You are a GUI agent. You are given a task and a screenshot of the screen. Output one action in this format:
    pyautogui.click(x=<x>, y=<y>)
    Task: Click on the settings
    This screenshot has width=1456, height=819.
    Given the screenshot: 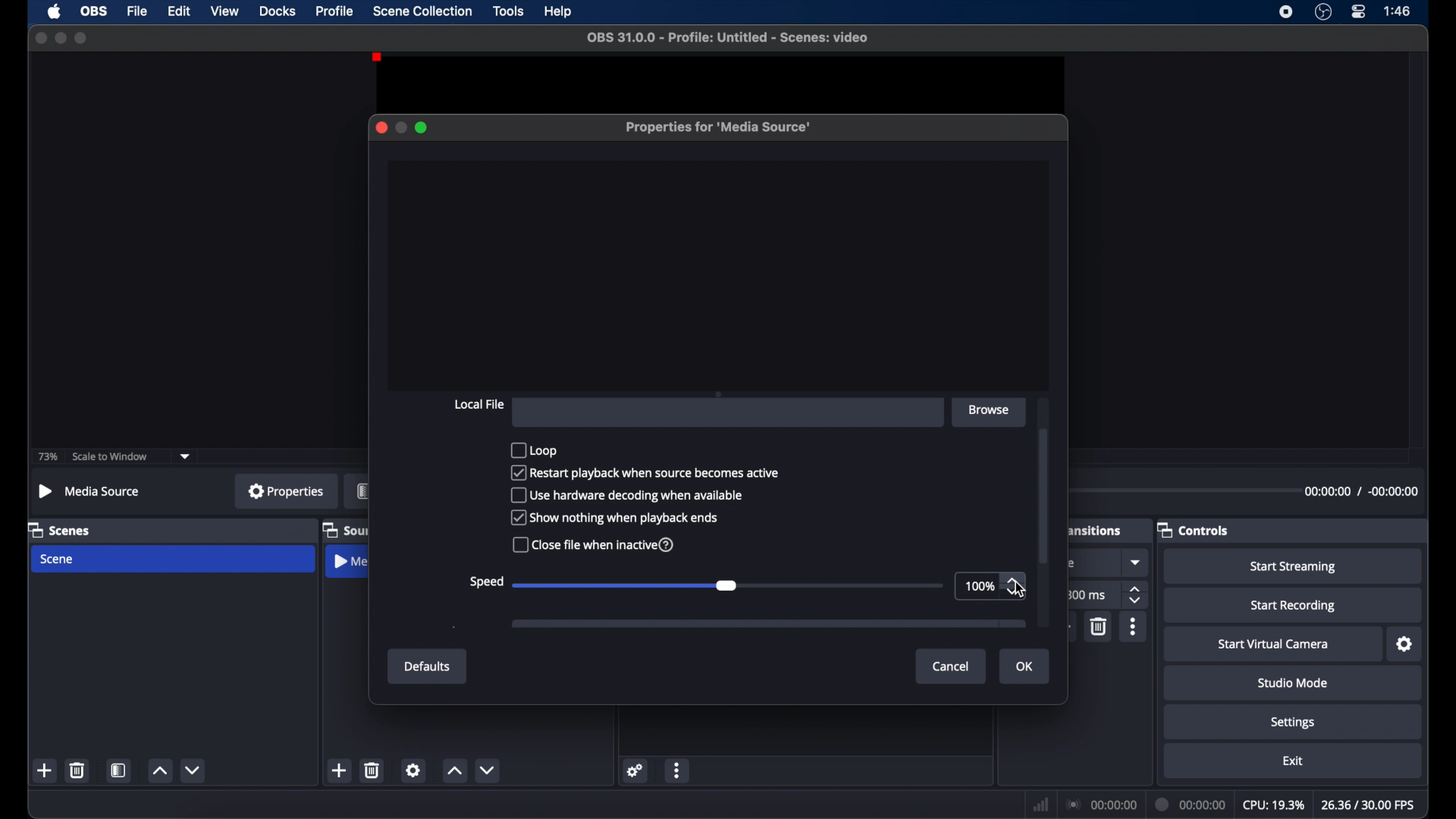 What is the action you would take?
    pyautogui.click(x=636, y=770)
    